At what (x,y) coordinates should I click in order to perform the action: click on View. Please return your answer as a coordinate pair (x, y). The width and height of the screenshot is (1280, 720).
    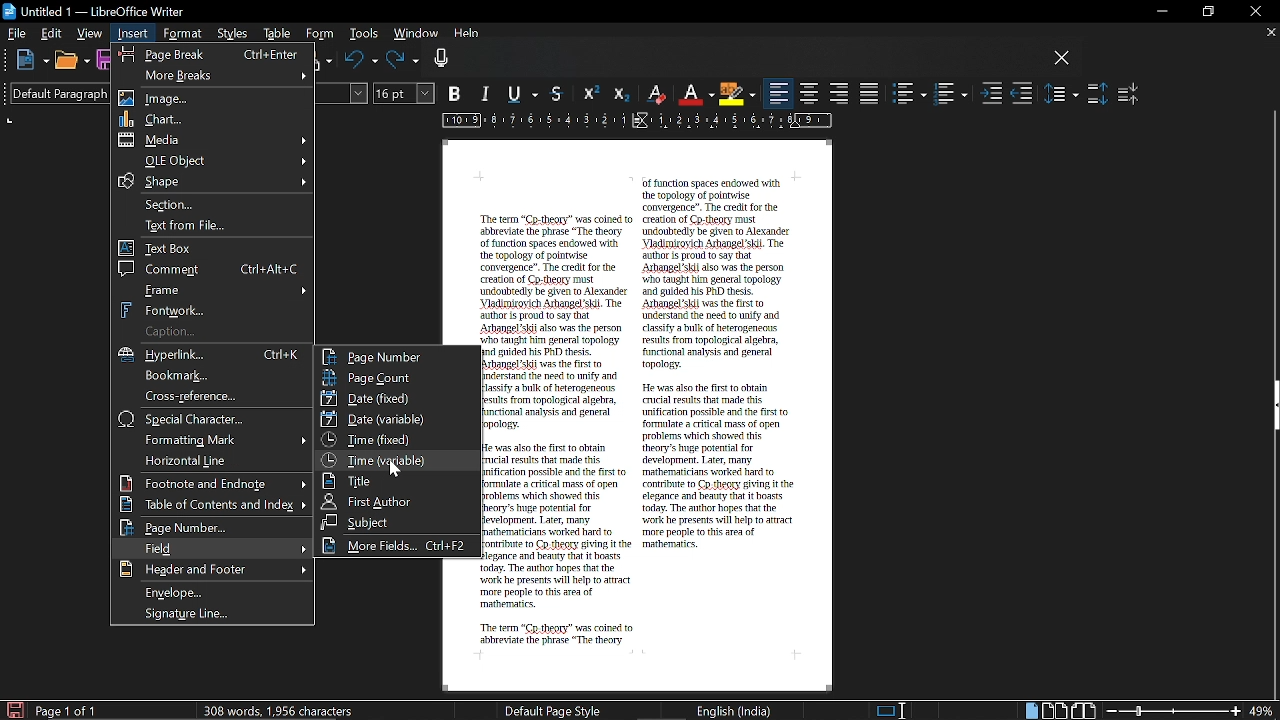
    Looking at the image, I should click on (90, 32).